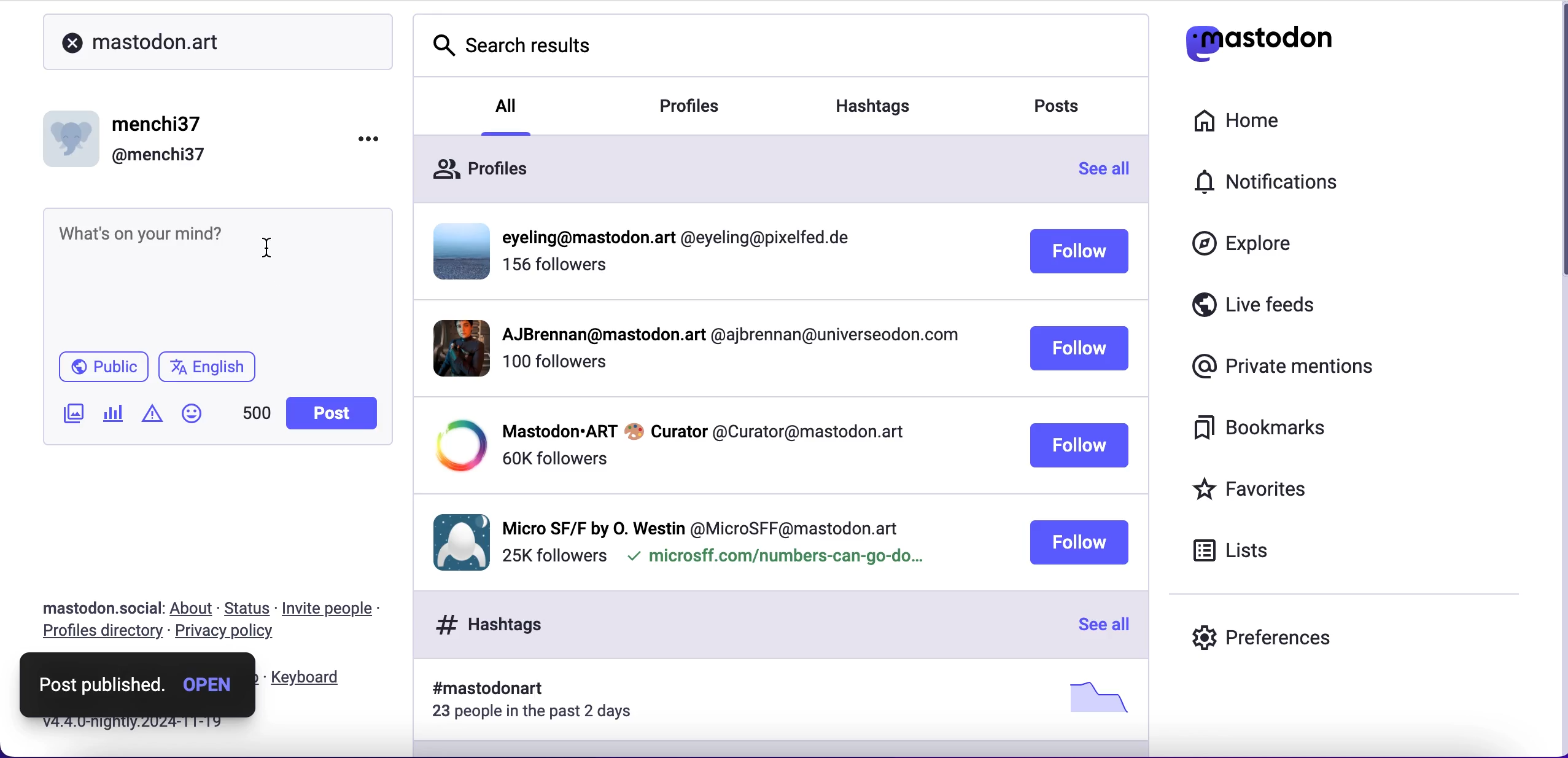 This screenshot has width=1568, height=758. Describe the element at coordinates (683, 238) in the screenshot. I see `profiile` at that location.